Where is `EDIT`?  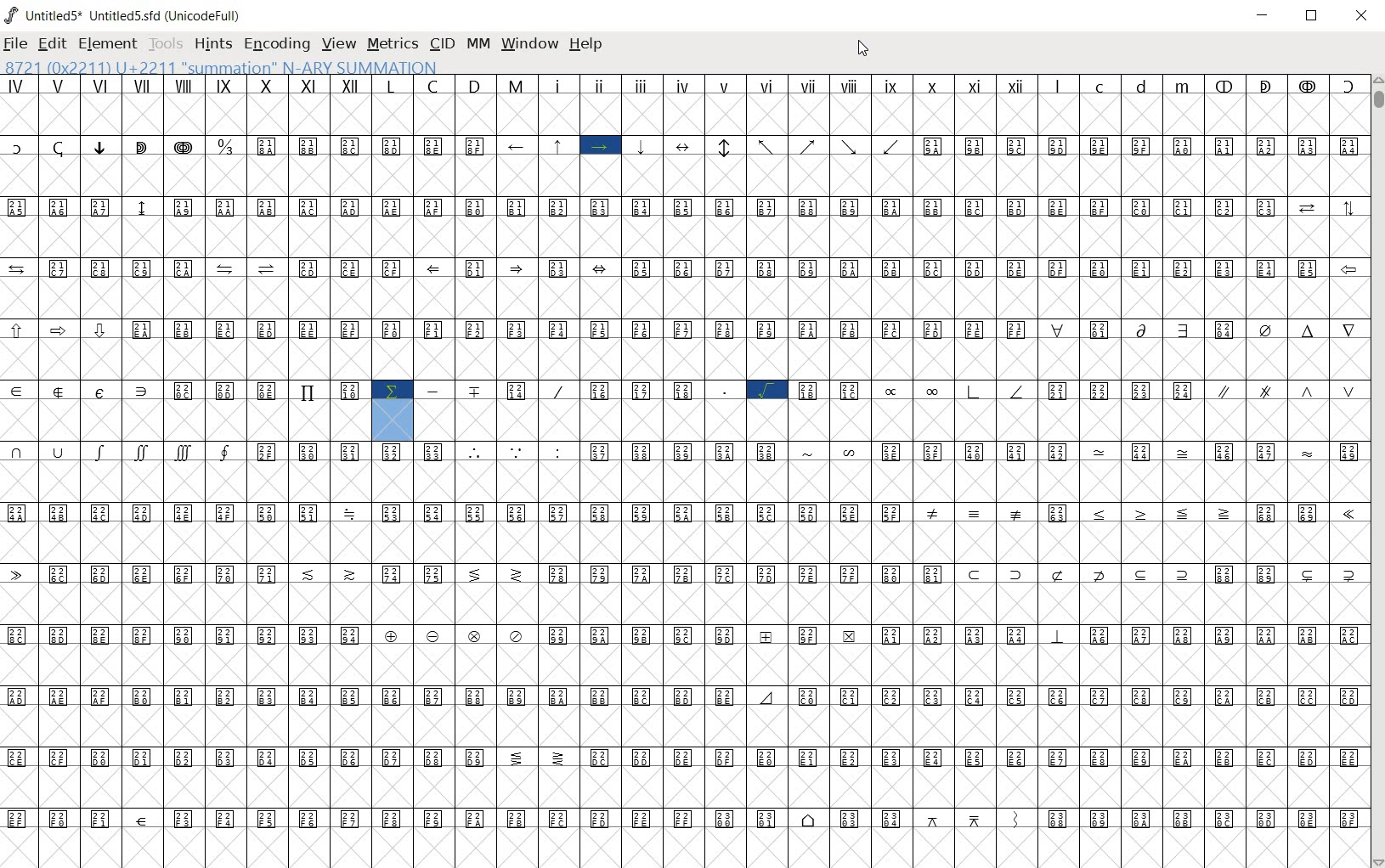 EDIT is located at coordinates (52, 45).